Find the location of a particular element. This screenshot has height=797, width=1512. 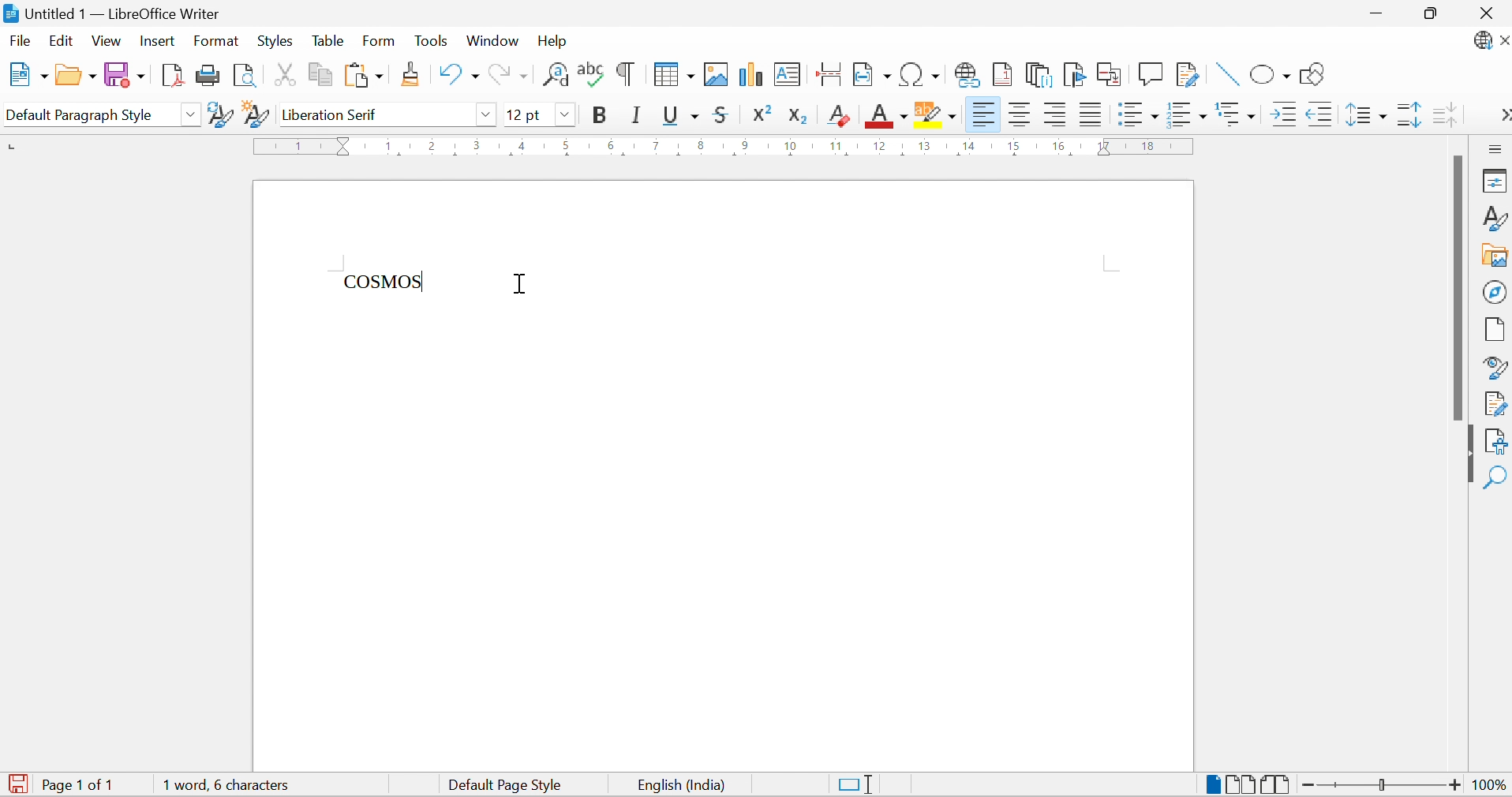

Styles is located at coordinates (1494, 216).